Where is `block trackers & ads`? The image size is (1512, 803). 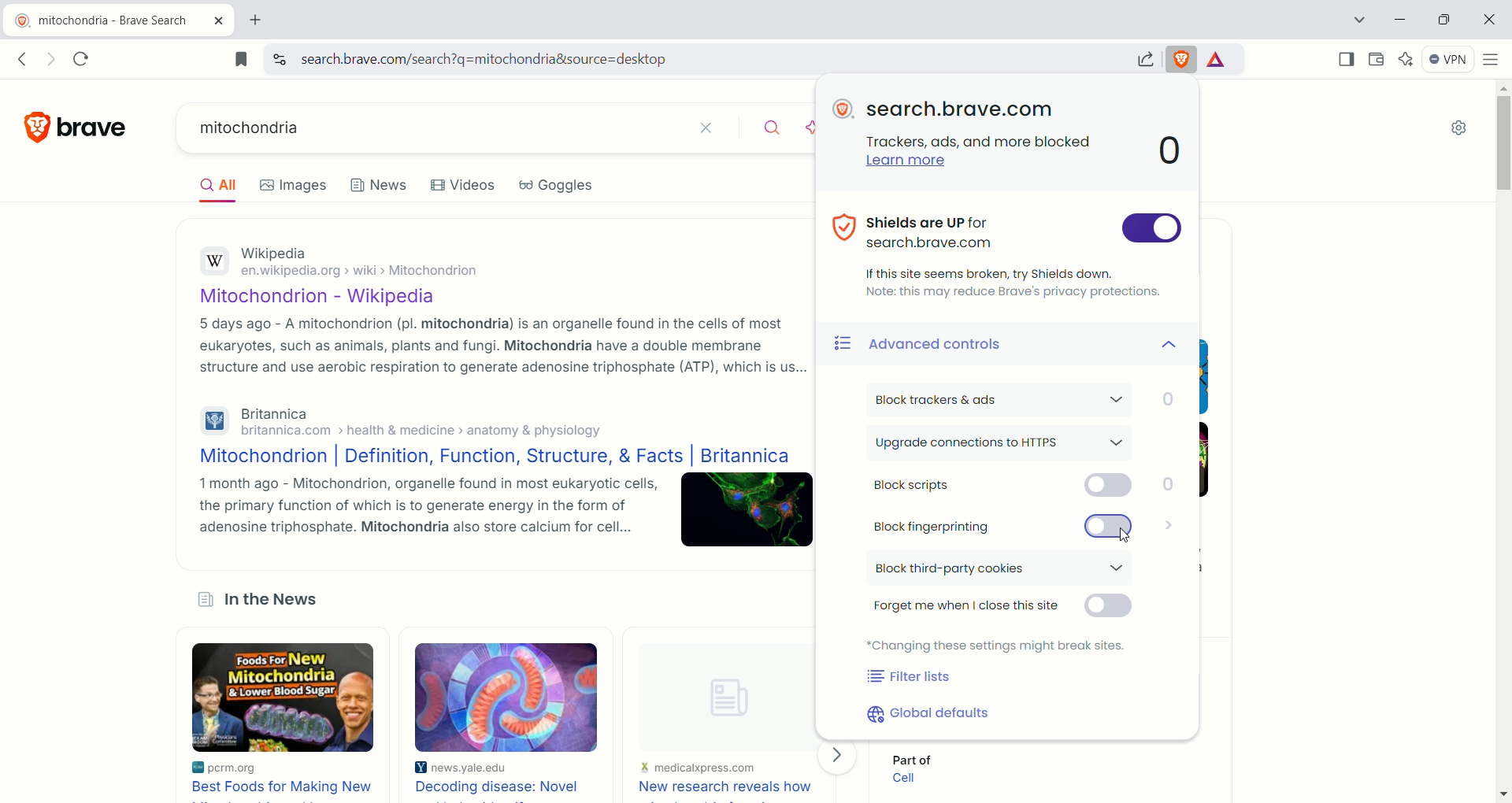 block trackers & ads is located at coordinates (1017, 399).